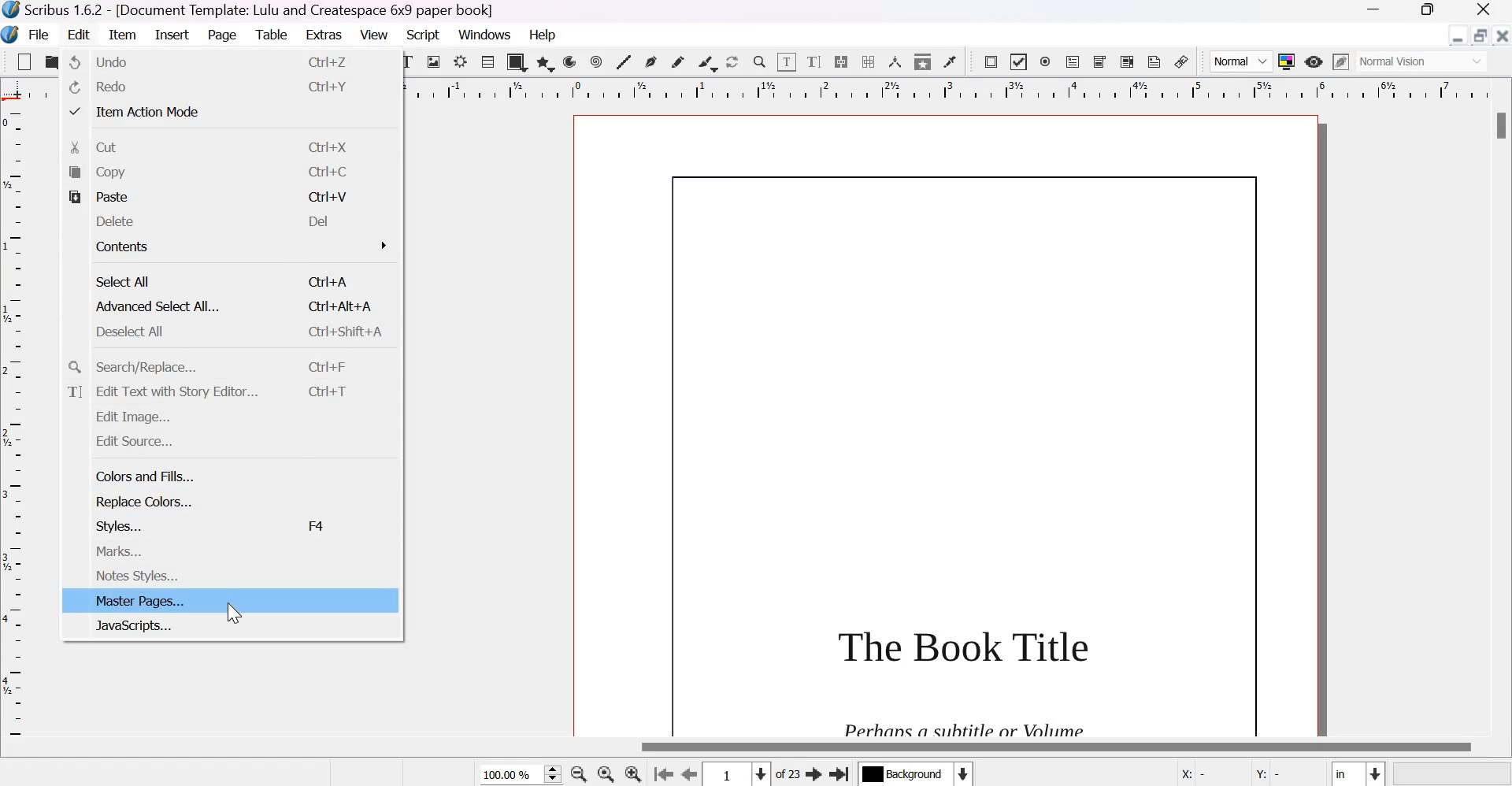  Describe the element at coordinates (1422, 61) in the screenshot. I see `normal vision` at that location.